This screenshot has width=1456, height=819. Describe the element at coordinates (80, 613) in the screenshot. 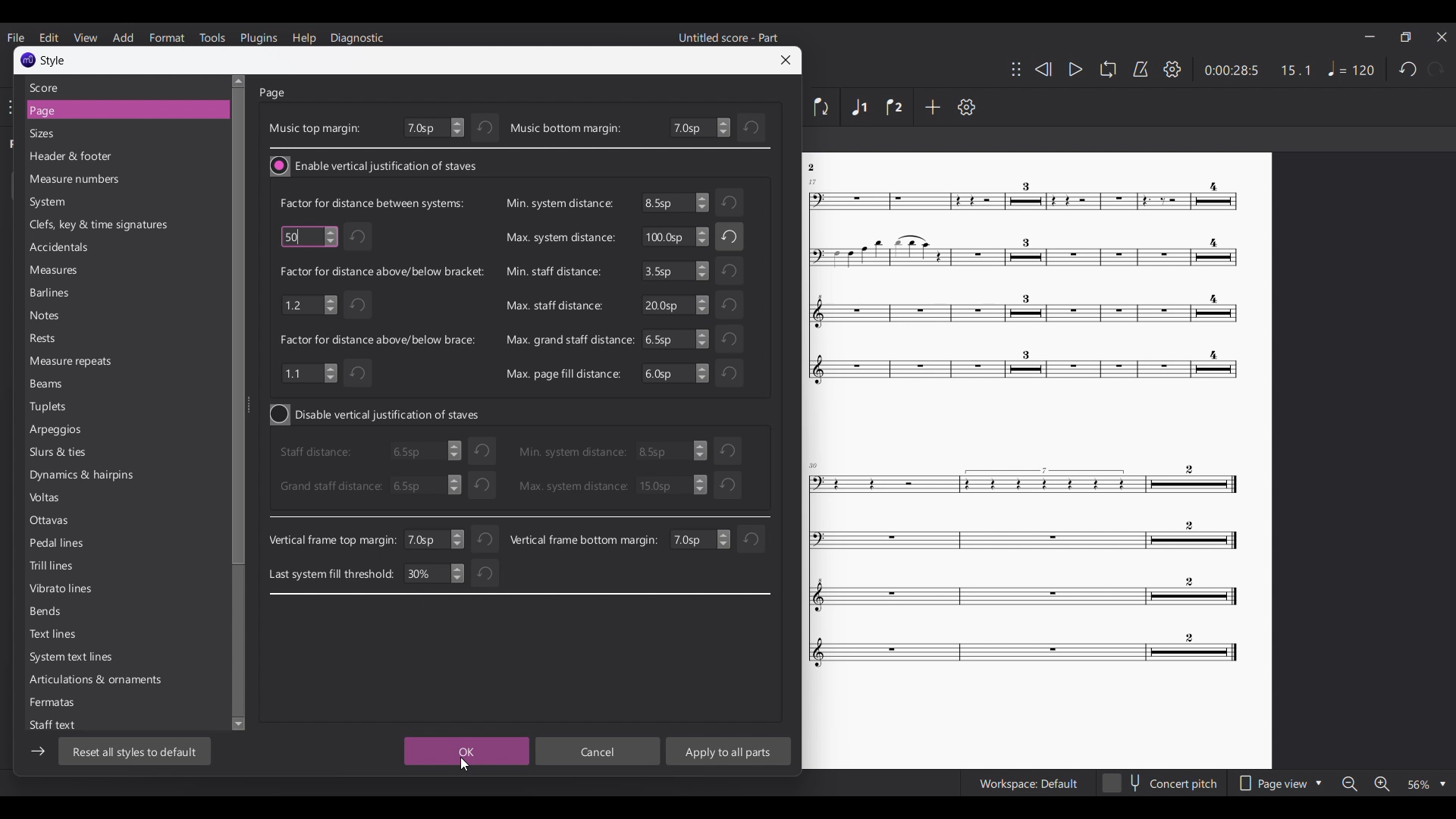

I see `Bends` at that location.